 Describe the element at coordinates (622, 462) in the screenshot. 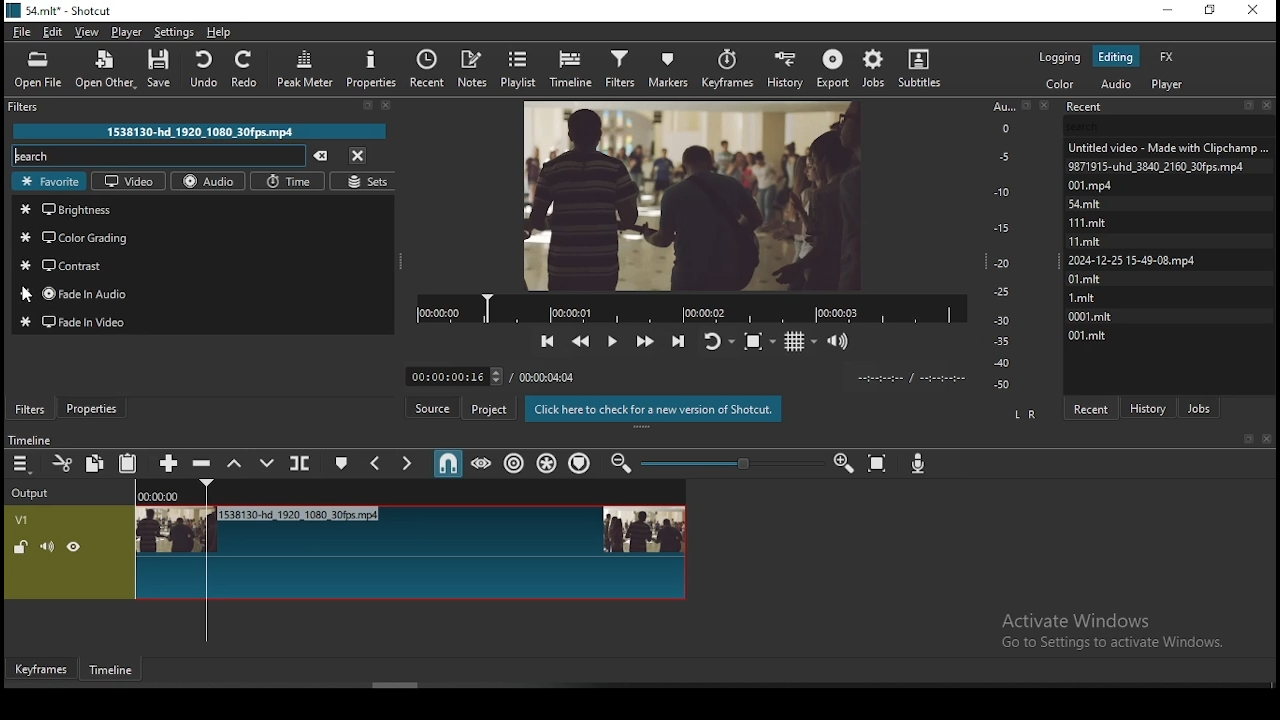

I see `zoom timeline in` at that location.